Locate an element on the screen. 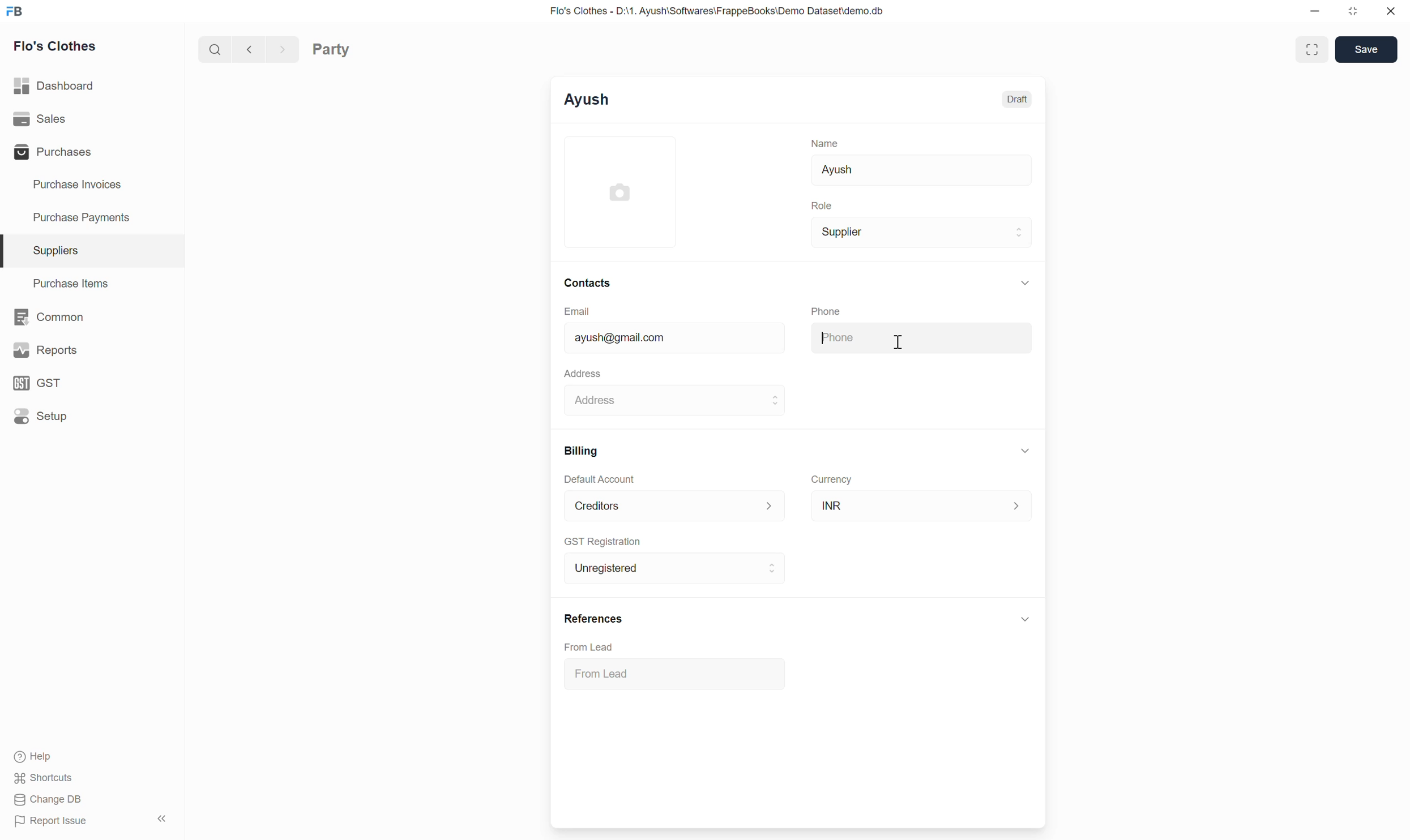 The width and height of the screenshot is (1410, 840). Change dimension is located at coordinates (1353, 11).